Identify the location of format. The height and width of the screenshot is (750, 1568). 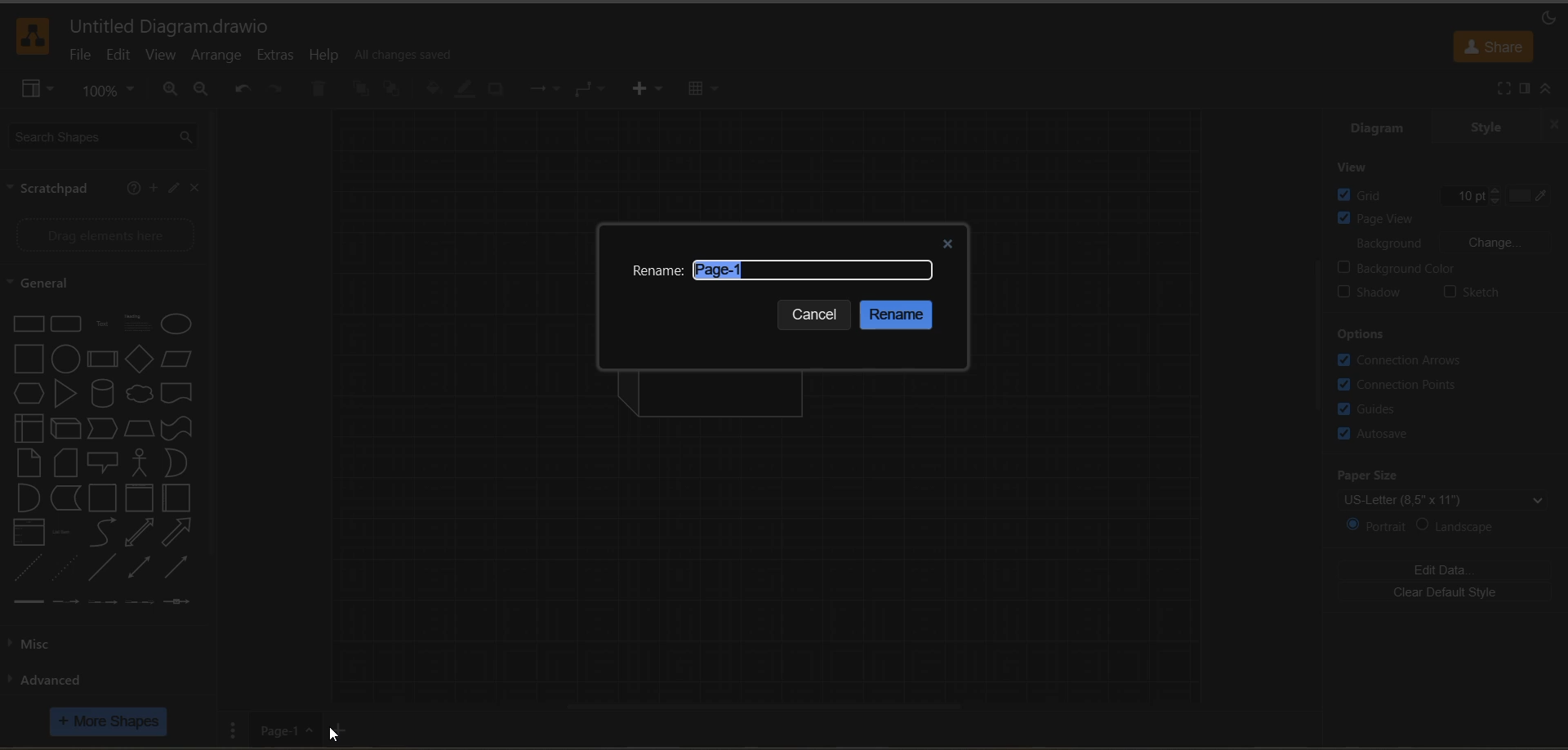
(1523, 88).